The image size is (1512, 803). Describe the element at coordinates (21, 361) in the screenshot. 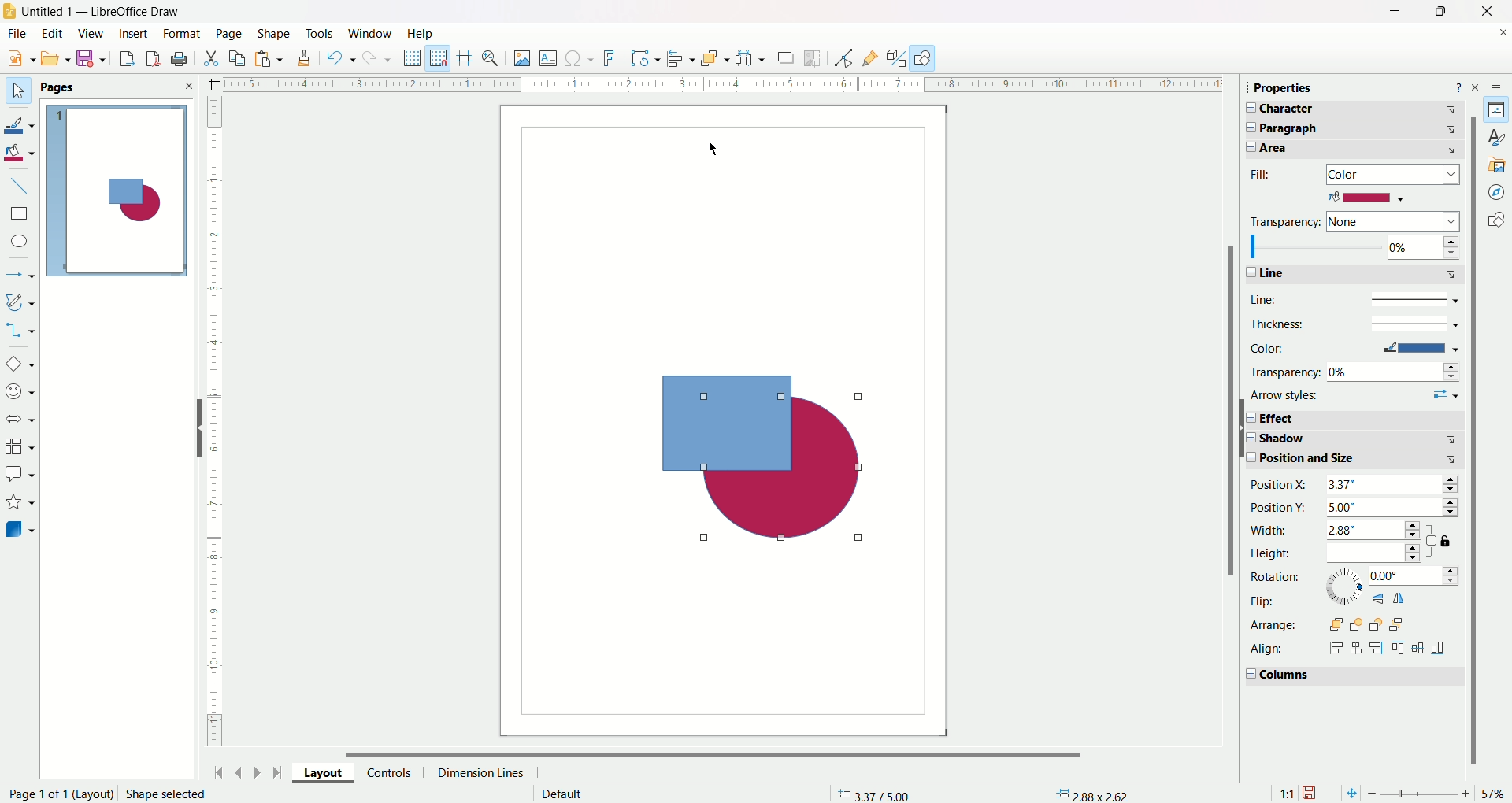

I see `basic shapes` at that location.